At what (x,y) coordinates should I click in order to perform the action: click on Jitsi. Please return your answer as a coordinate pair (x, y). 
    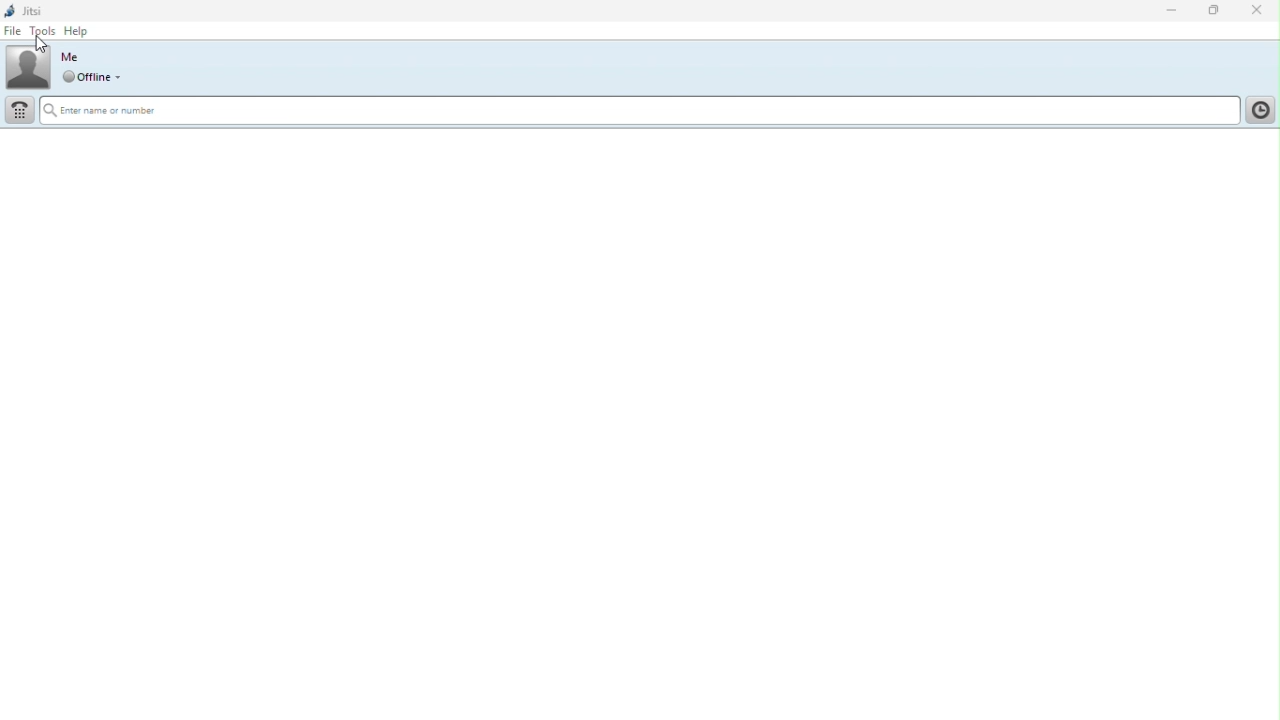
    Looking at the image, I should click on (26, 9).